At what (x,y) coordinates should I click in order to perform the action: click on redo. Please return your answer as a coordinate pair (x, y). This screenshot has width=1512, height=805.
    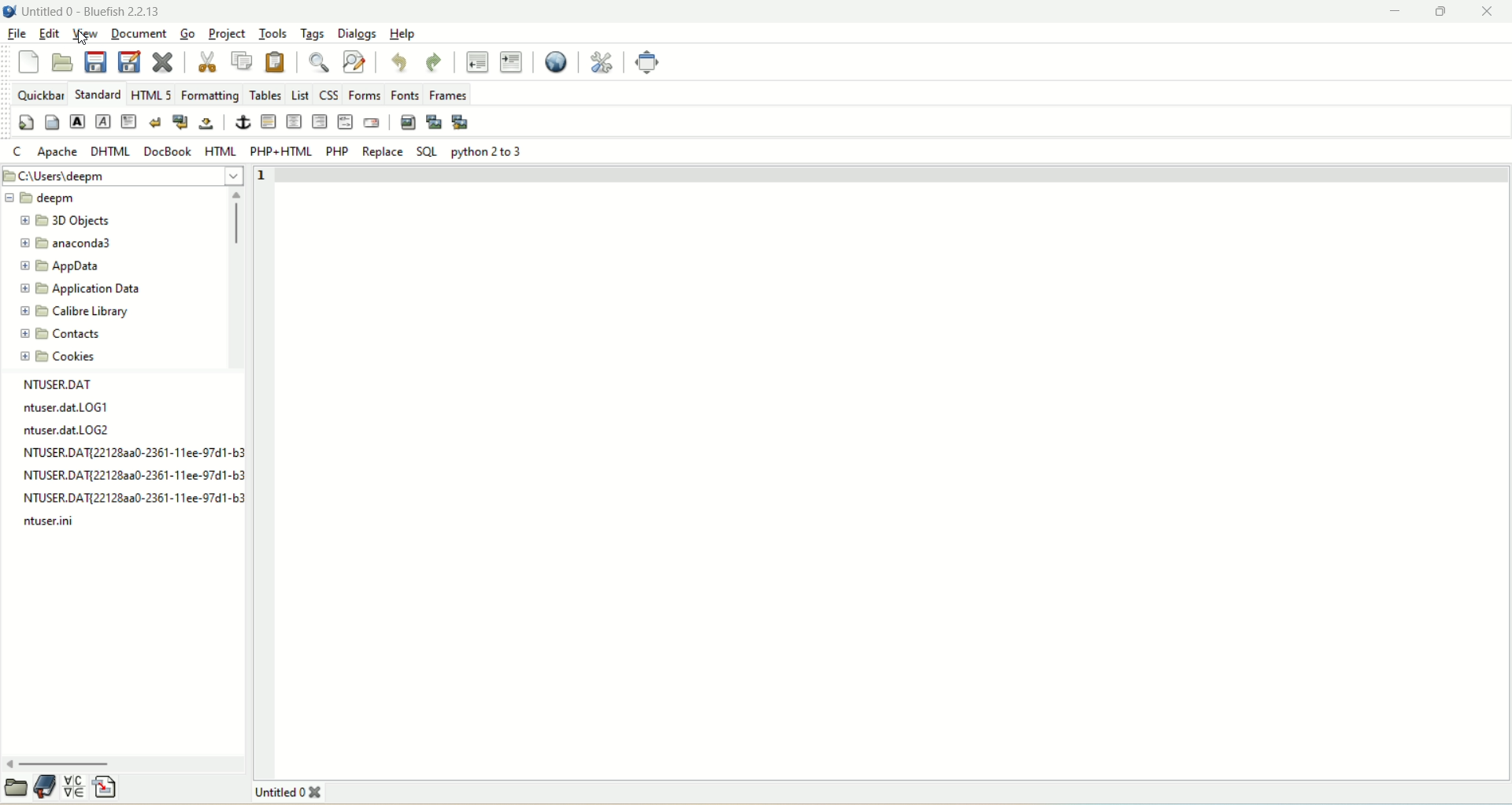
    Looking at the image, I should click on (435, 61).